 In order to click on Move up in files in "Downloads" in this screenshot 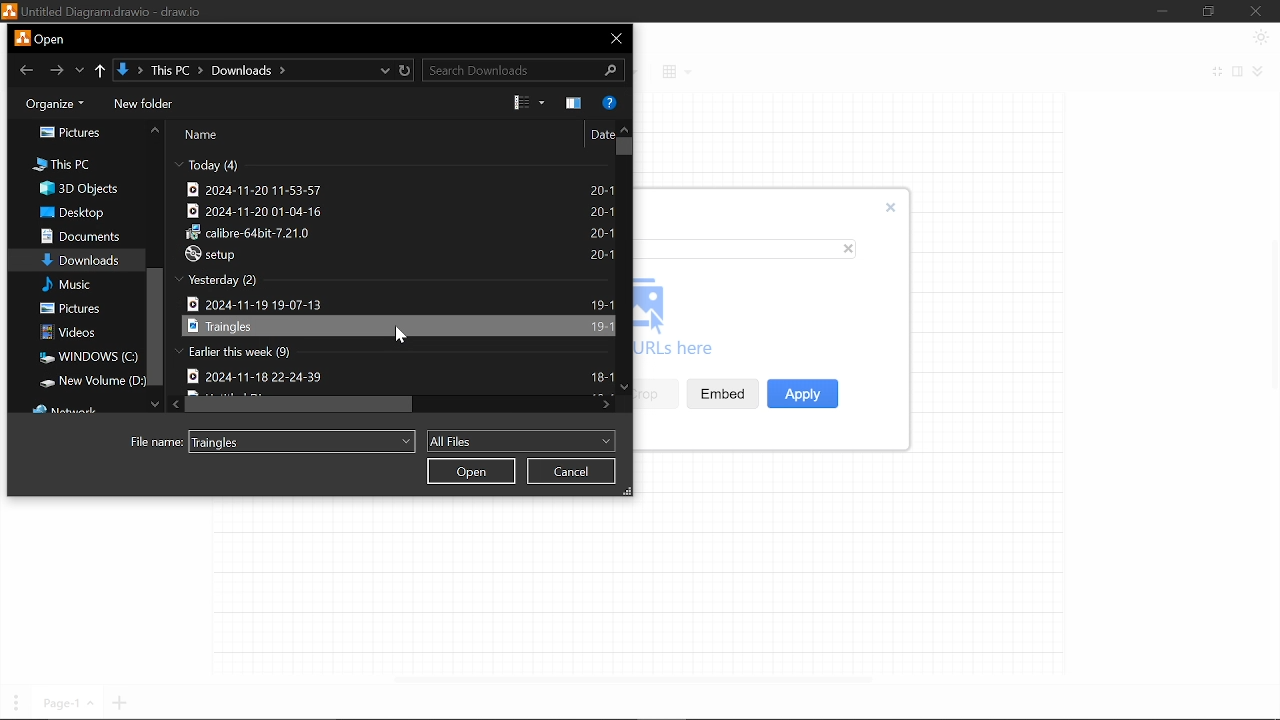, I will do `click(625, 128)`.